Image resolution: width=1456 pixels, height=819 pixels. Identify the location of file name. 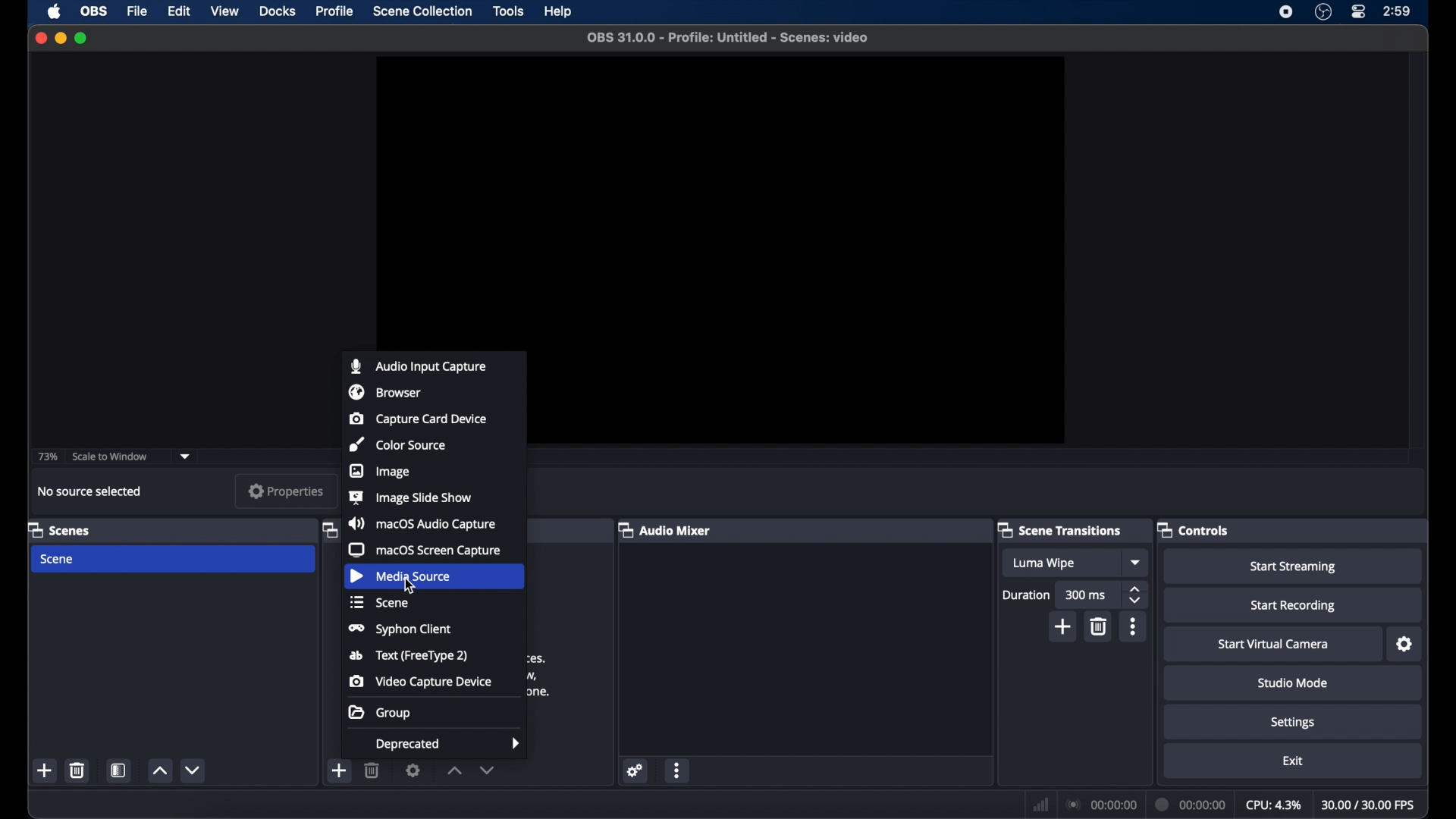
(729, 38).